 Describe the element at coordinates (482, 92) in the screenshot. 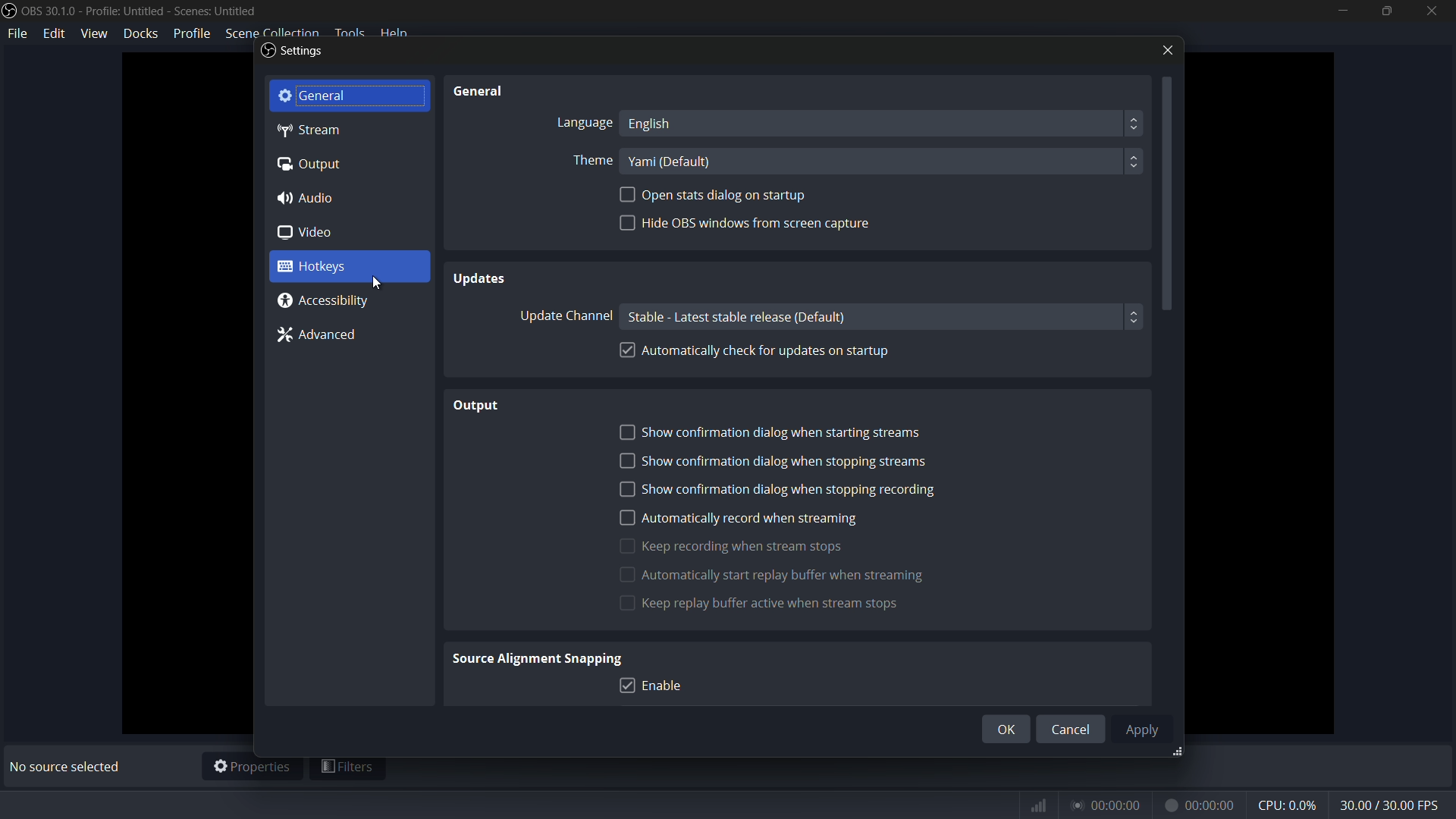

I see `General` at that location.